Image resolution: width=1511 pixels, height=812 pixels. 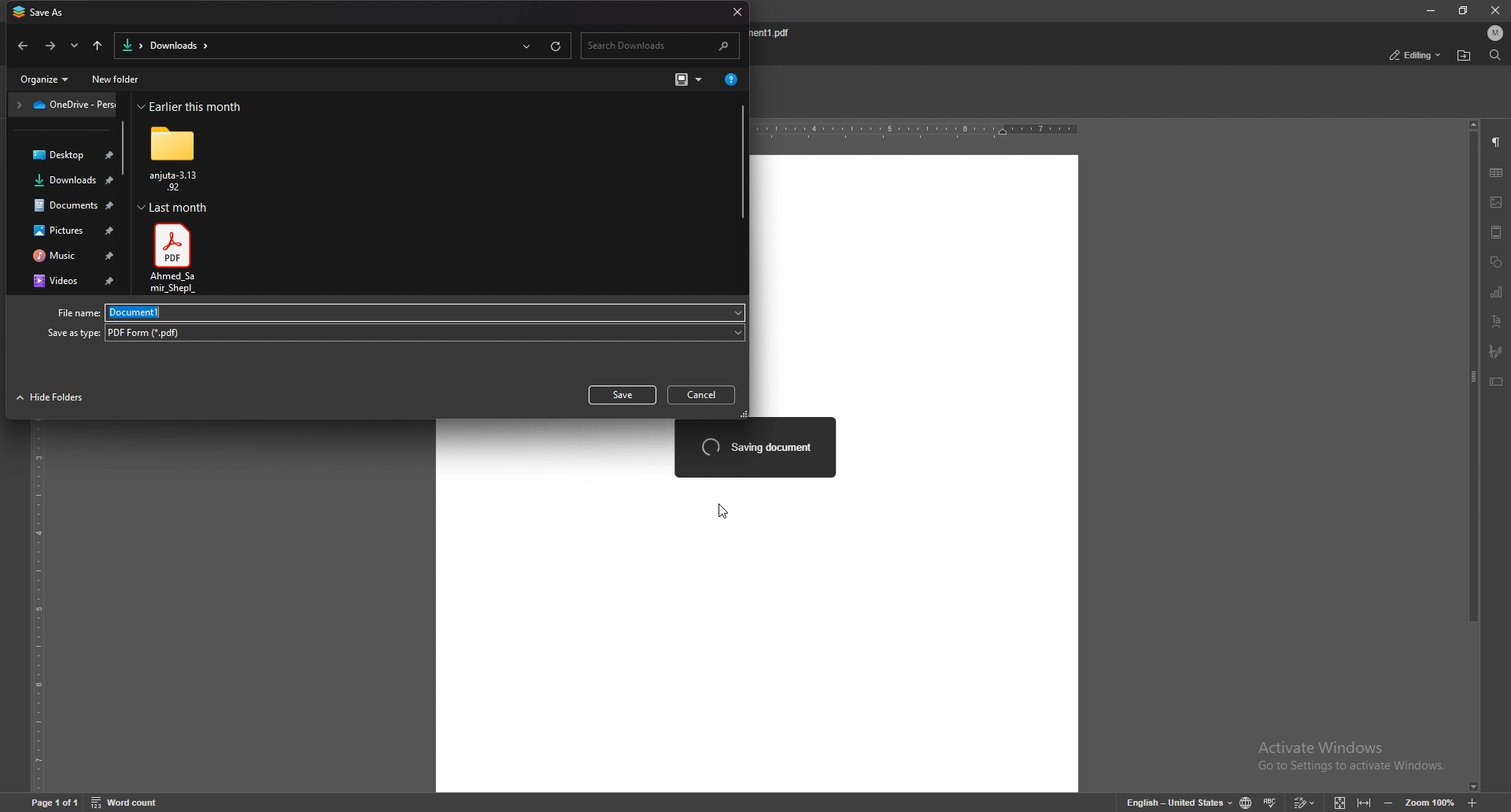 I want to click on documents, so click(x=69, y=205).